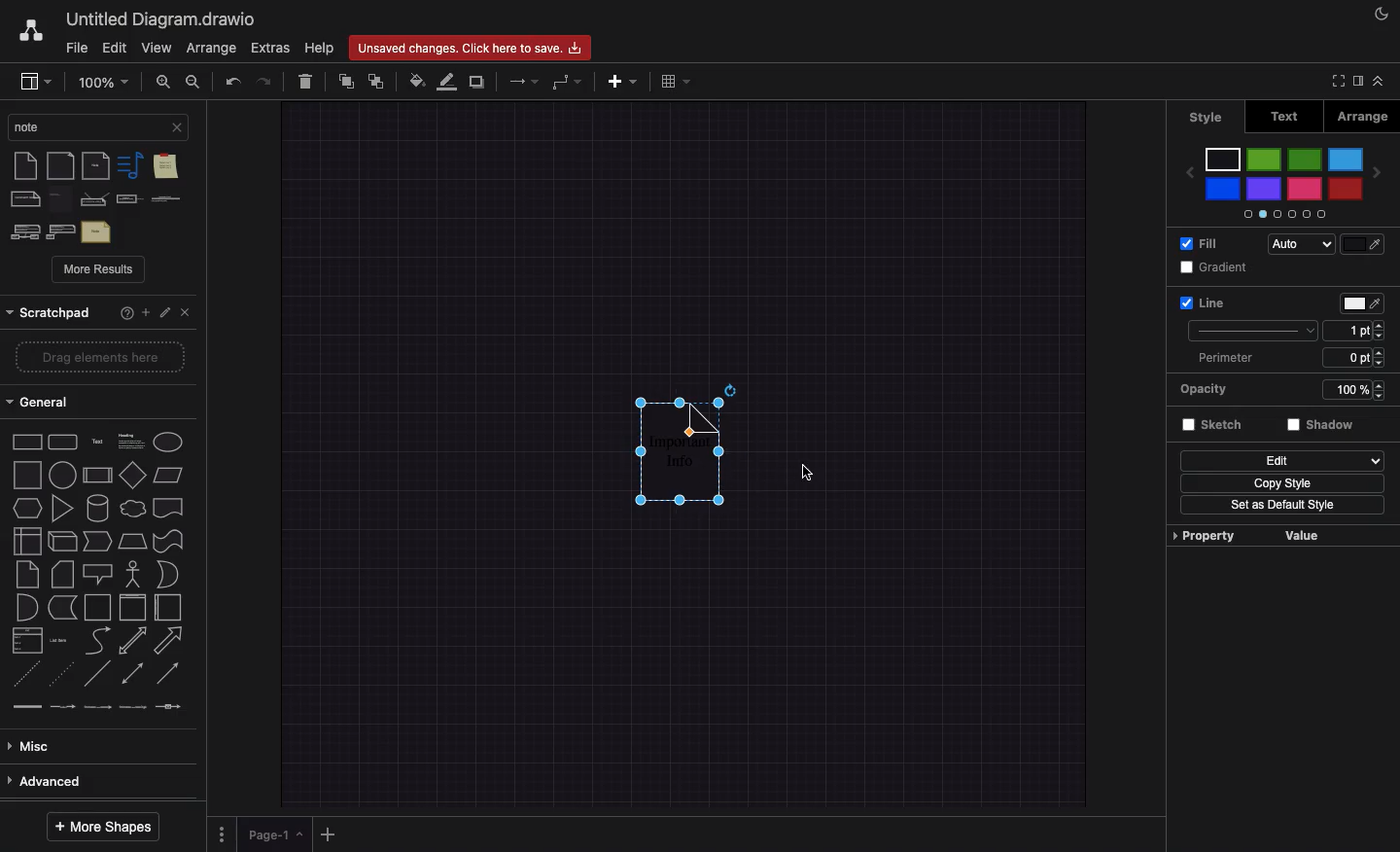 Image resolution: width=1400 pixels, height=852 pixels. What do you see at coordinates (169, 713) in the screenshot?
I see `connector with symbol` at bounding box center [169, 713].